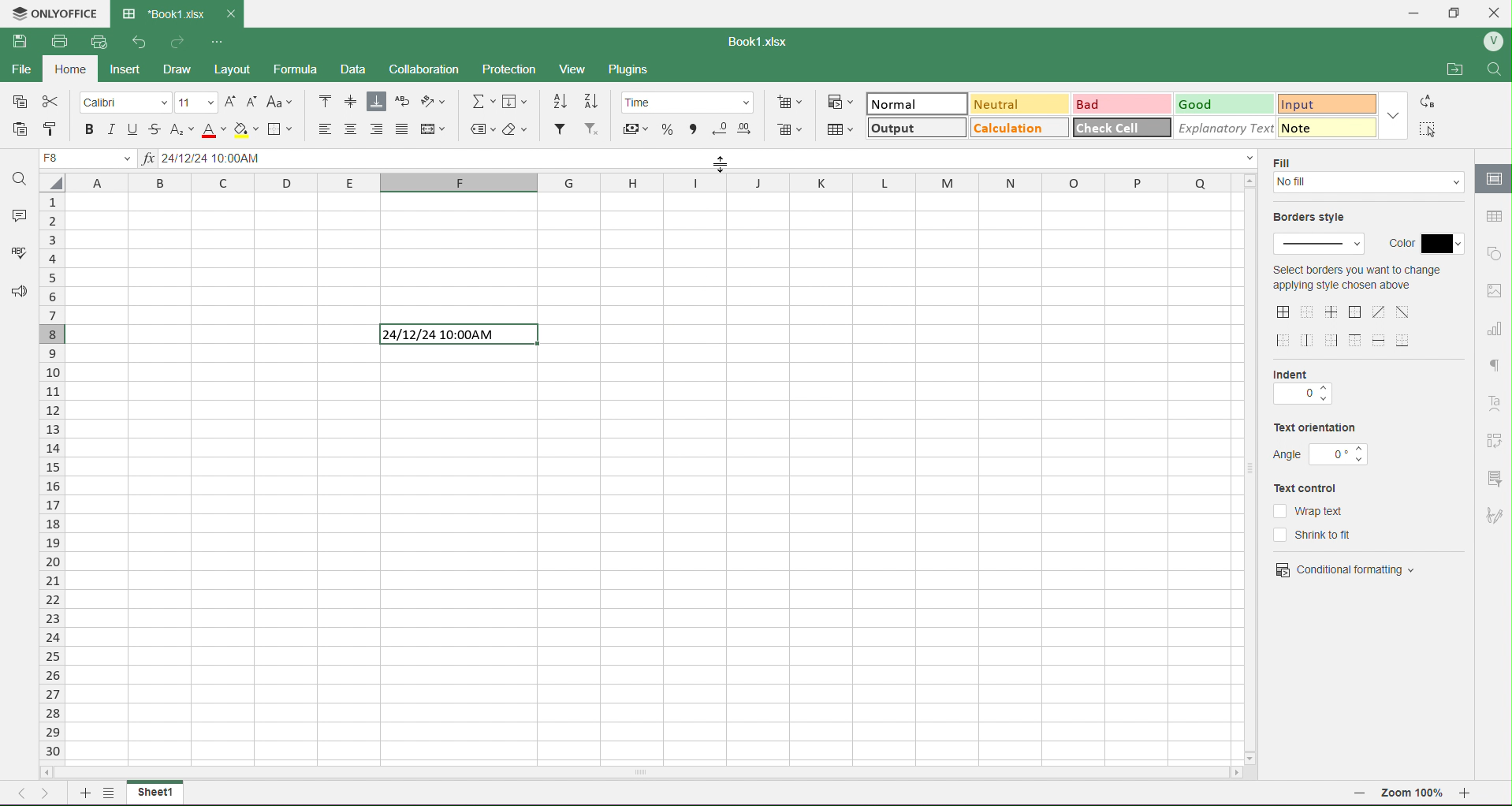 This screenshot has height=806, width=1512. I want to click on Wrap Text, so click(402, 103).